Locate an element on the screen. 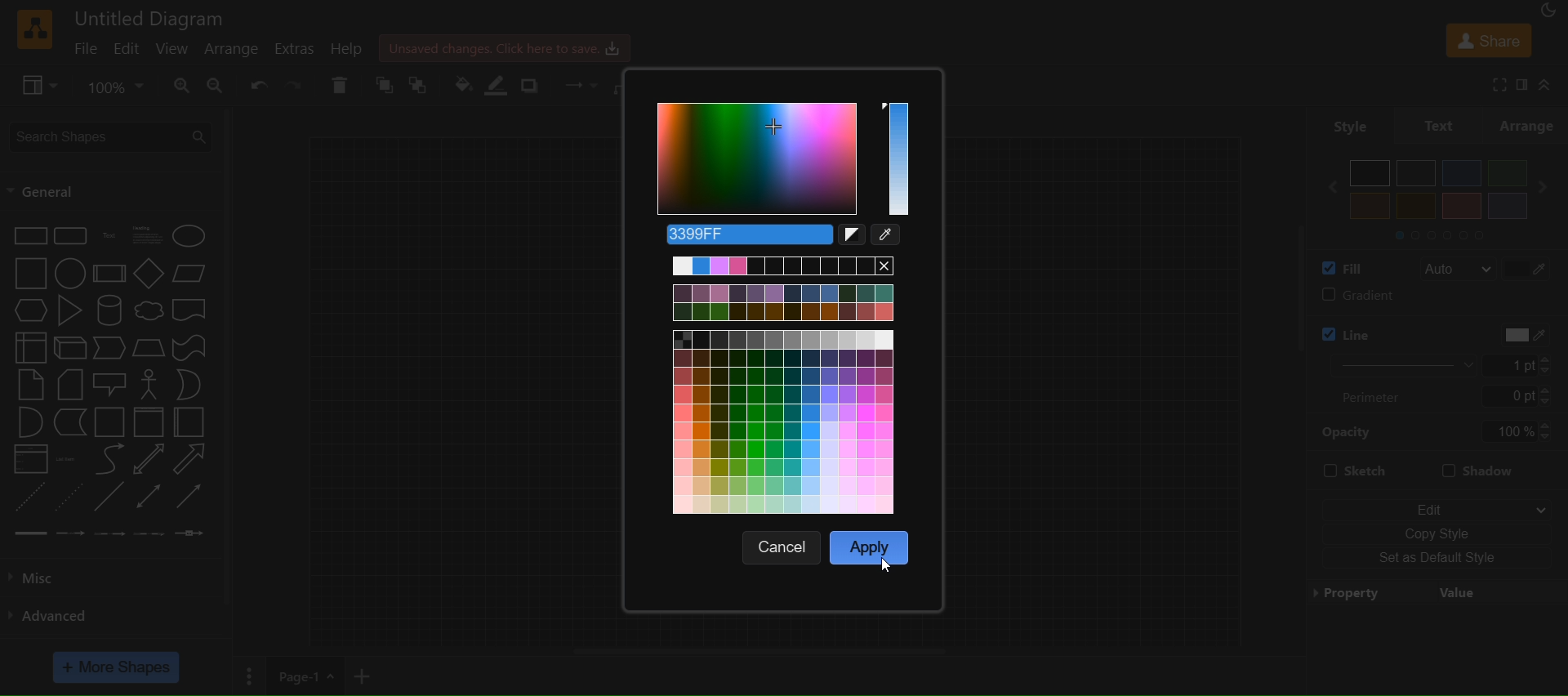 The image size is (1568, 696). Cursor on color palette is located at coordinates (885, 567).